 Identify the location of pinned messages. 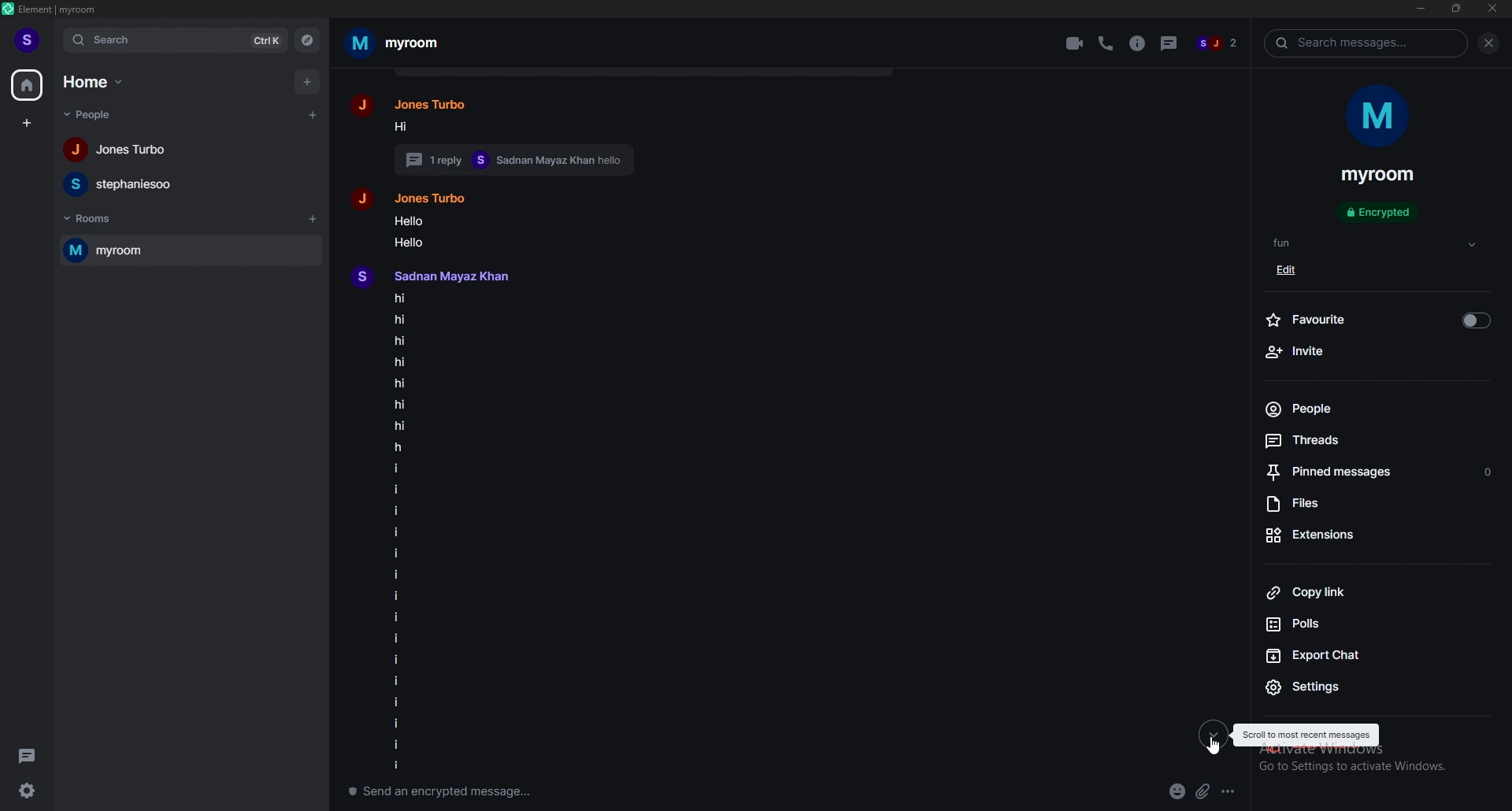
(1380, 470).